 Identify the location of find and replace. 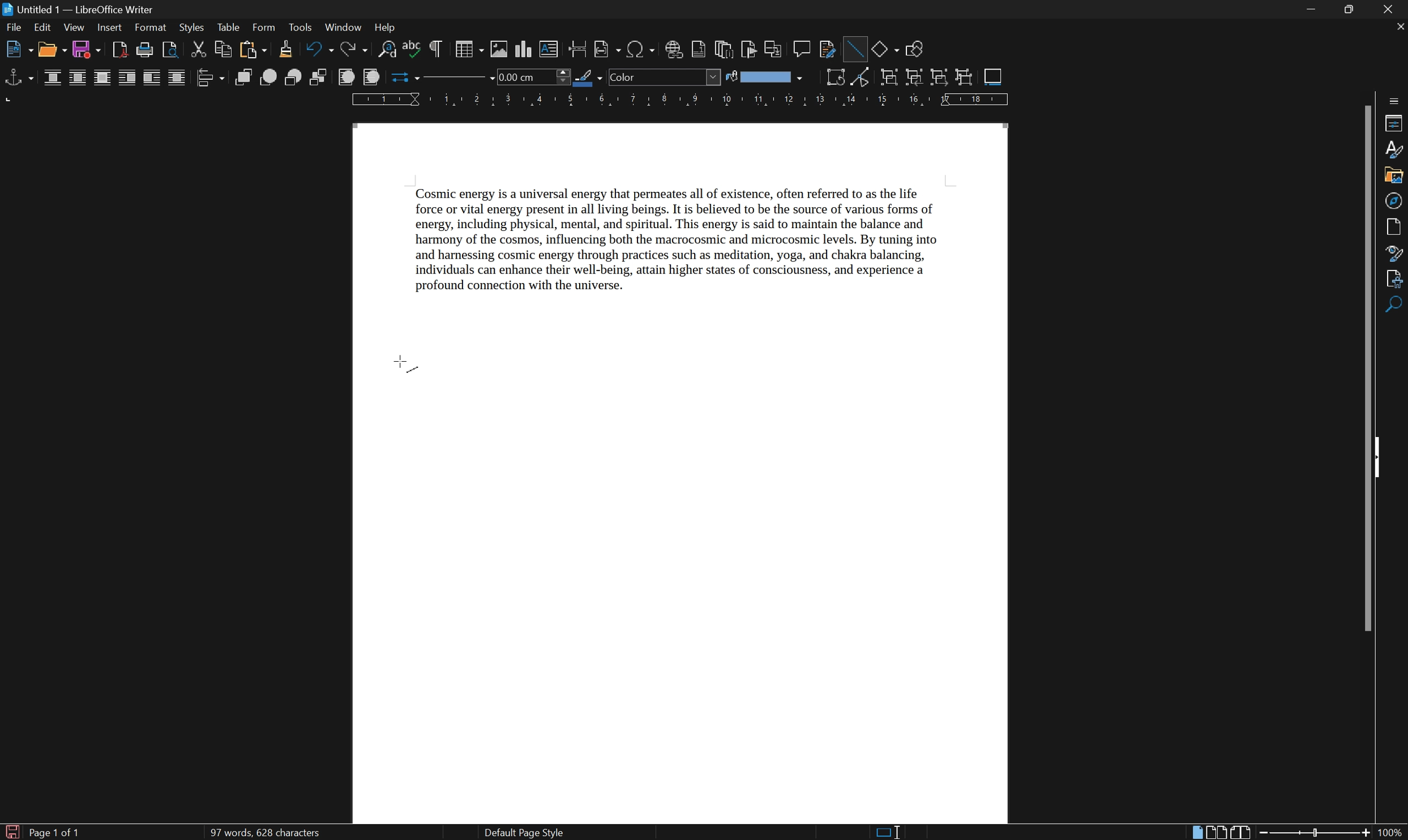
(387, 50).